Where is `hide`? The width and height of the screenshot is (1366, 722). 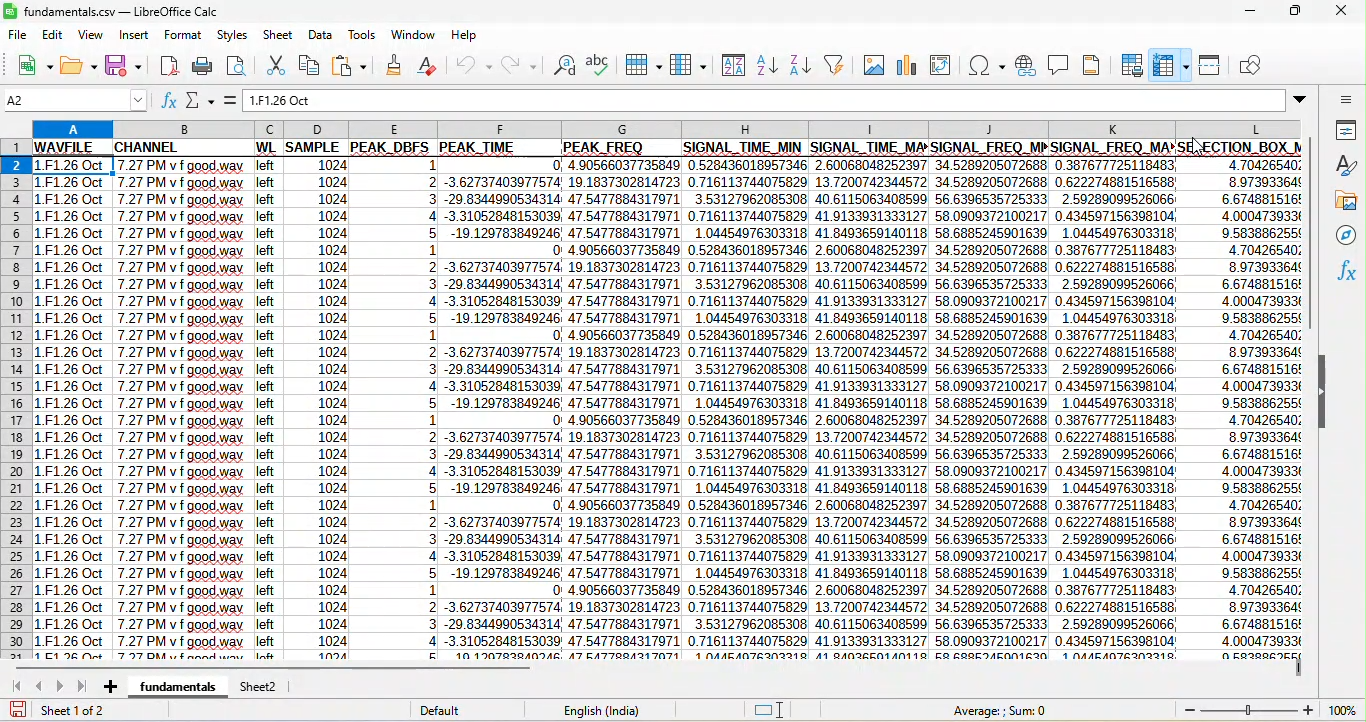
hide is located at coordinates (1322, 394).